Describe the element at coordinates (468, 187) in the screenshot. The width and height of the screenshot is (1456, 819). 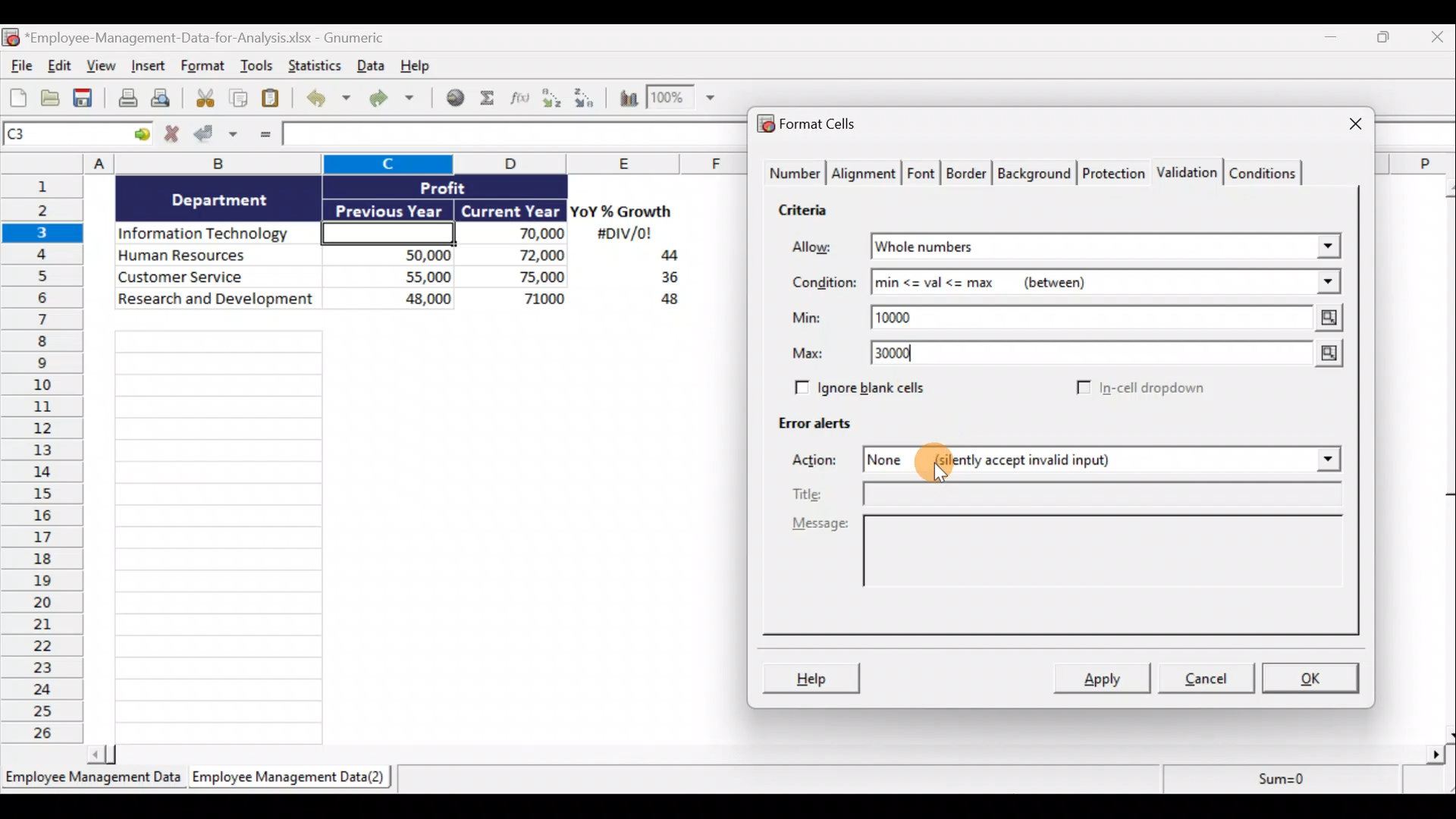
I see `Profit` at that location.